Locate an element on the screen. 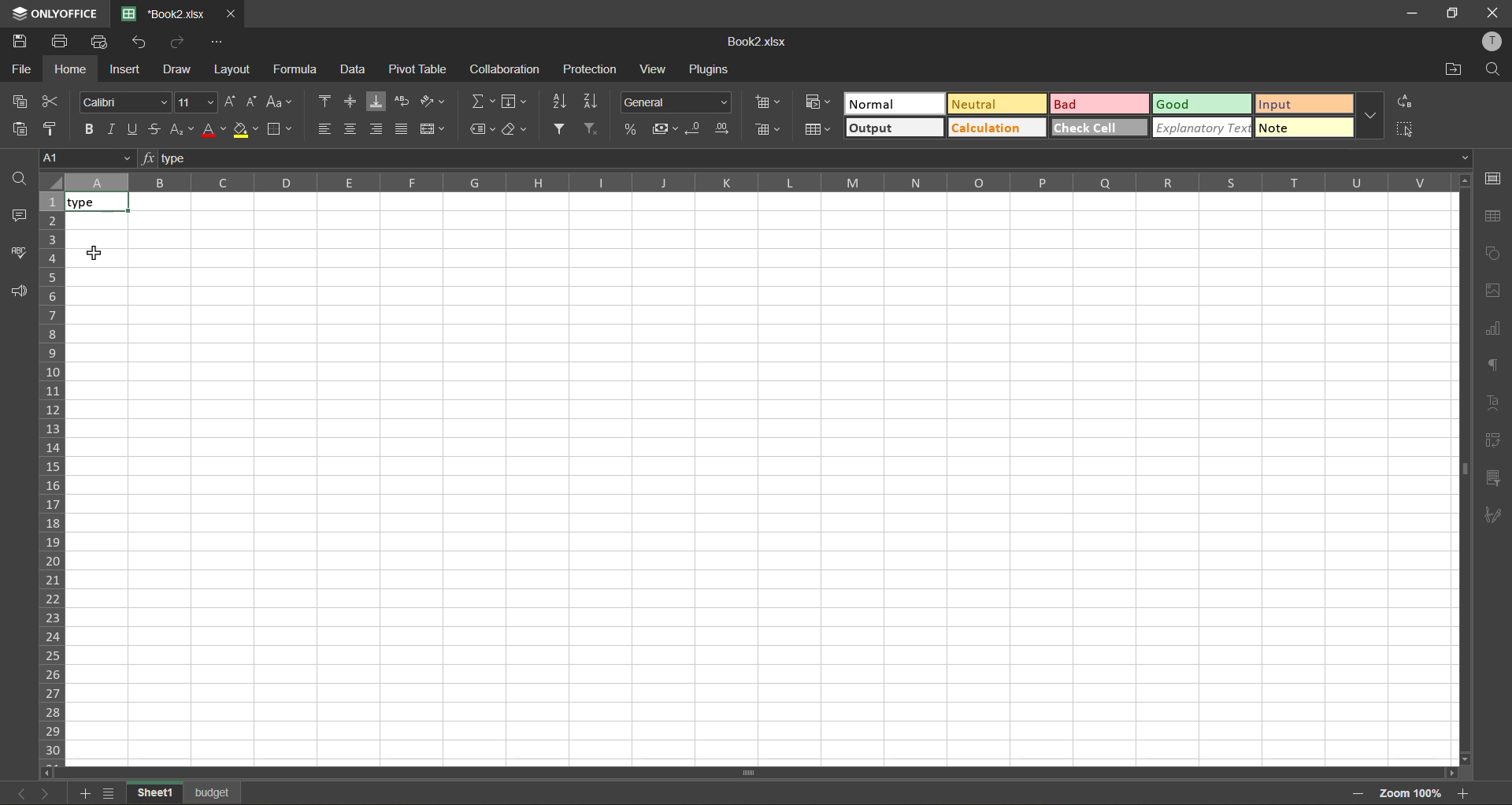 Image resolution: width=1512 pixels, height=805 pixels. column names is located at coordinates (753, 184).